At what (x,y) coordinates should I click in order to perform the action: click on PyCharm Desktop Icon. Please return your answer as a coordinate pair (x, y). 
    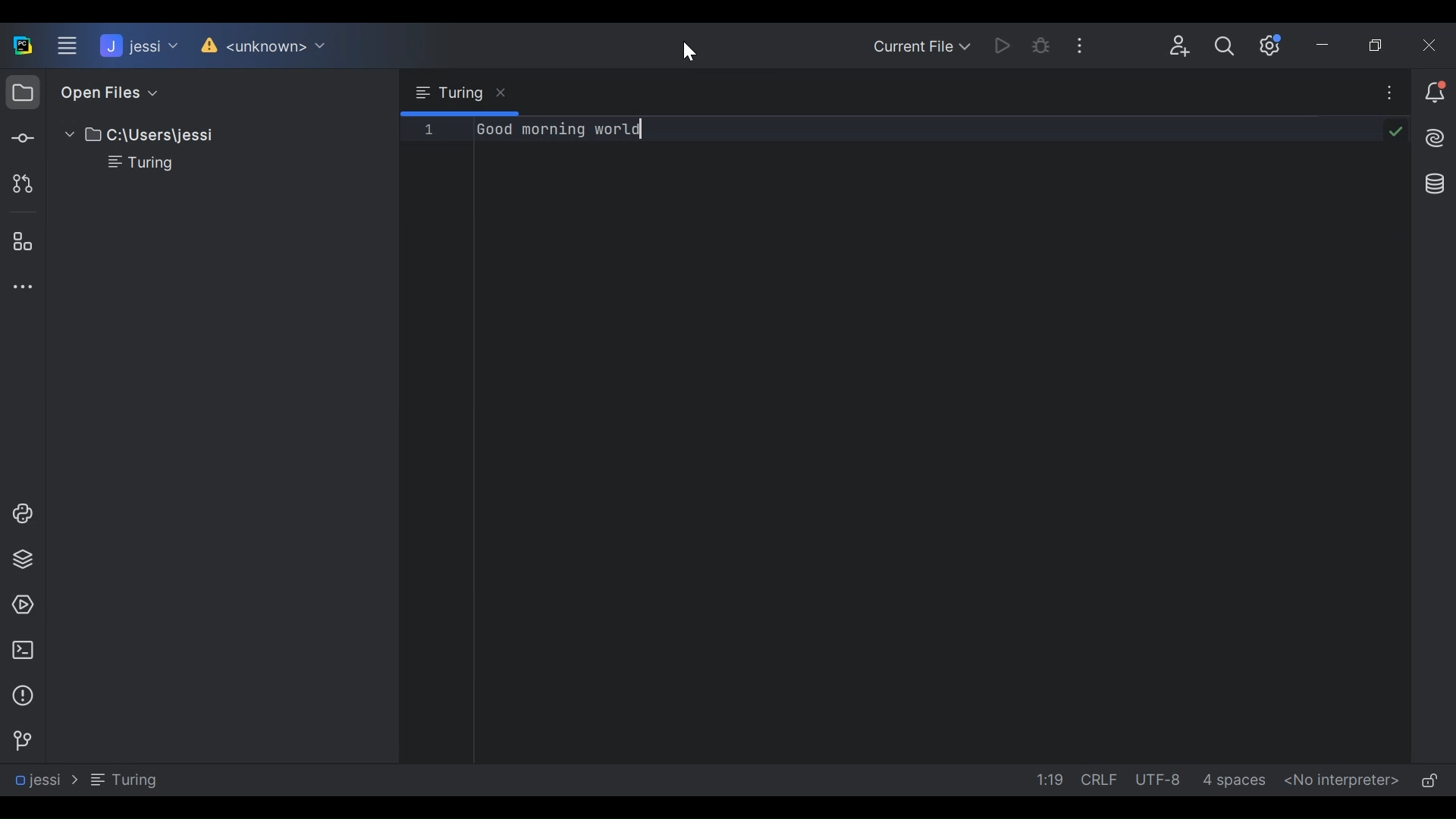
    Looking at the image, I should click on (23, 47).